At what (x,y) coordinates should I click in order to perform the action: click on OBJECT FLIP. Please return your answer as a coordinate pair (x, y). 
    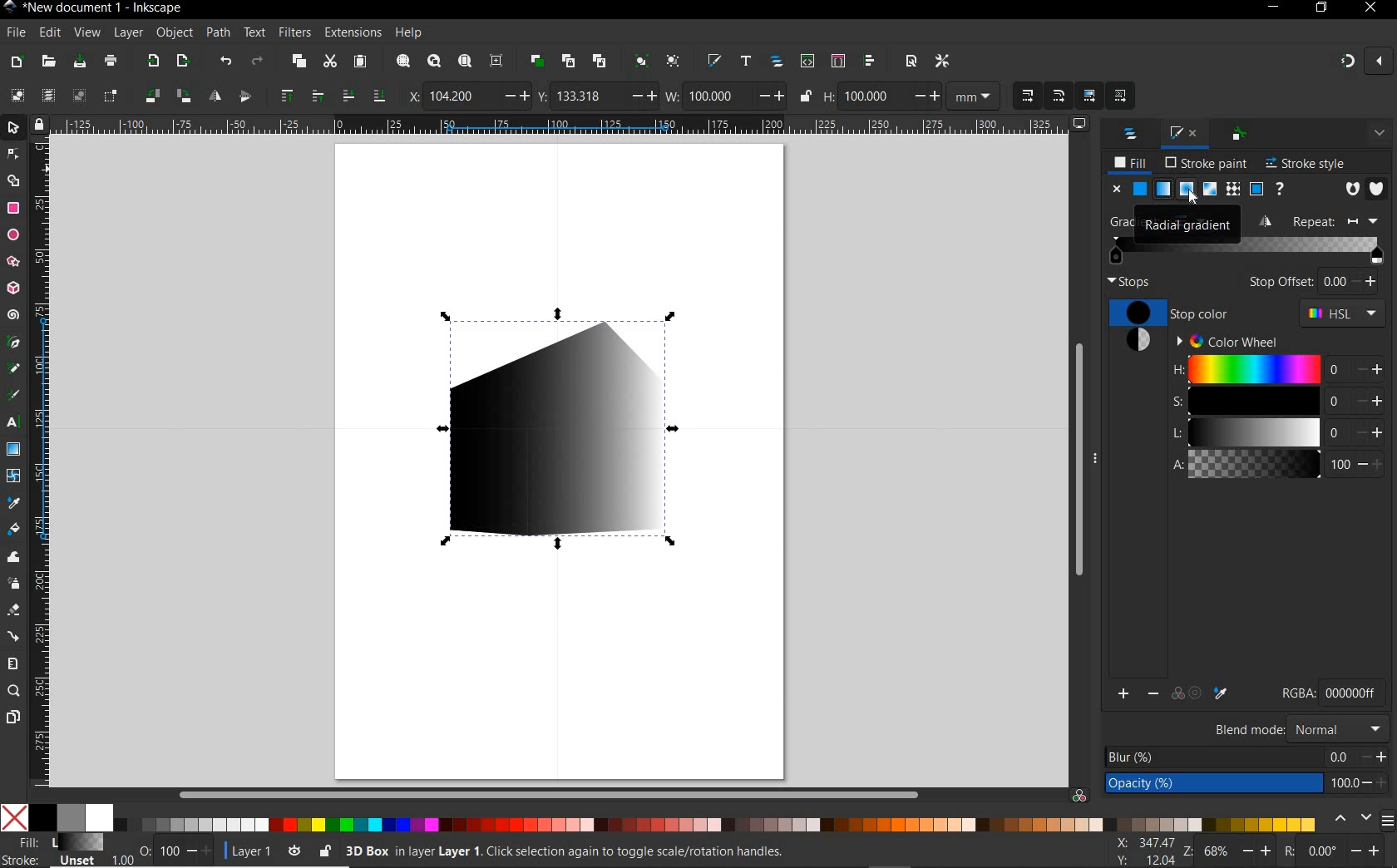
    Looking at the image, I should click on (211, 95).